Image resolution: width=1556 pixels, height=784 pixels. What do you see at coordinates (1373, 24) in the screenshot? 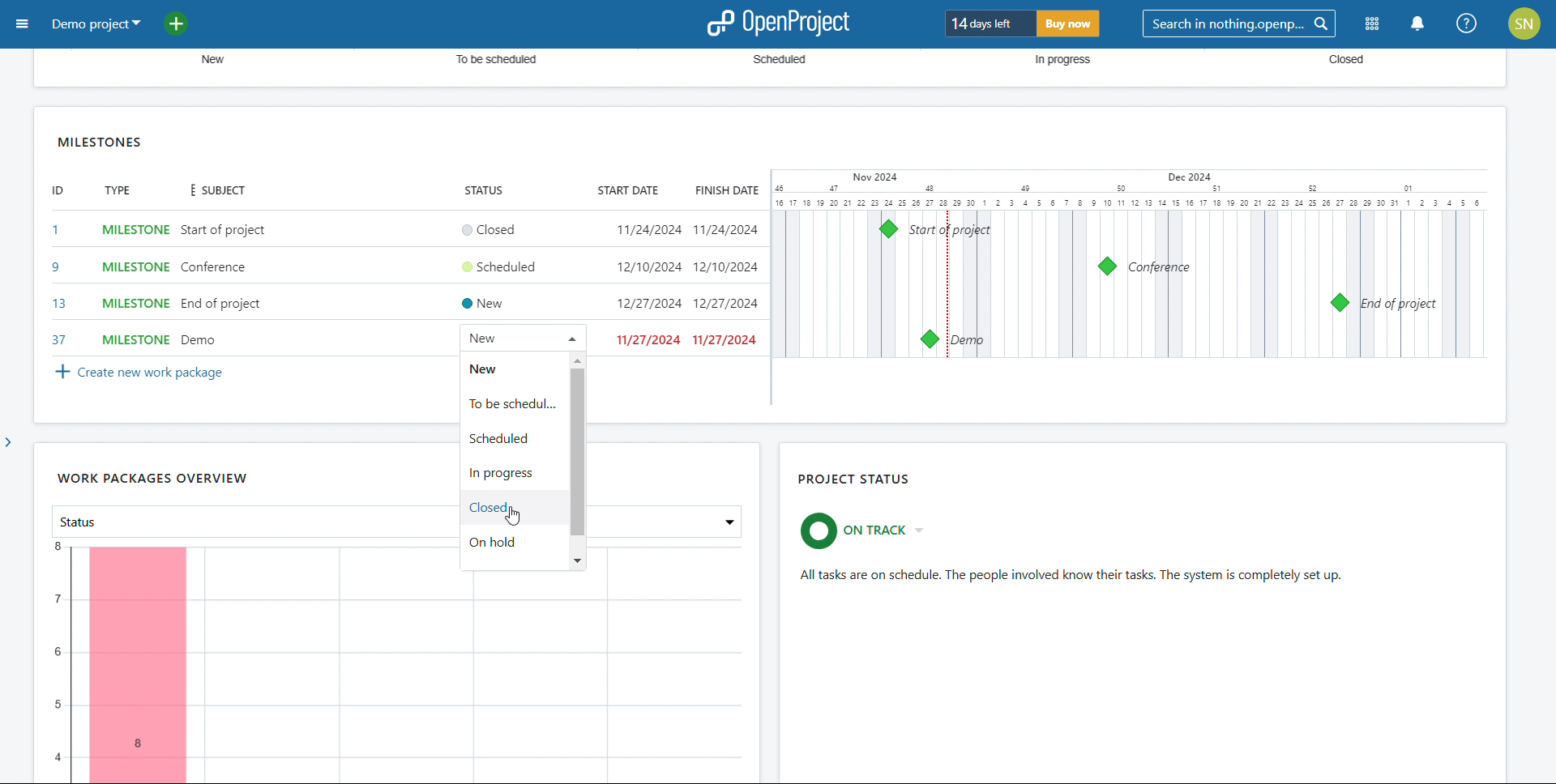
I see `modules` at bounding box center [1373, 24].